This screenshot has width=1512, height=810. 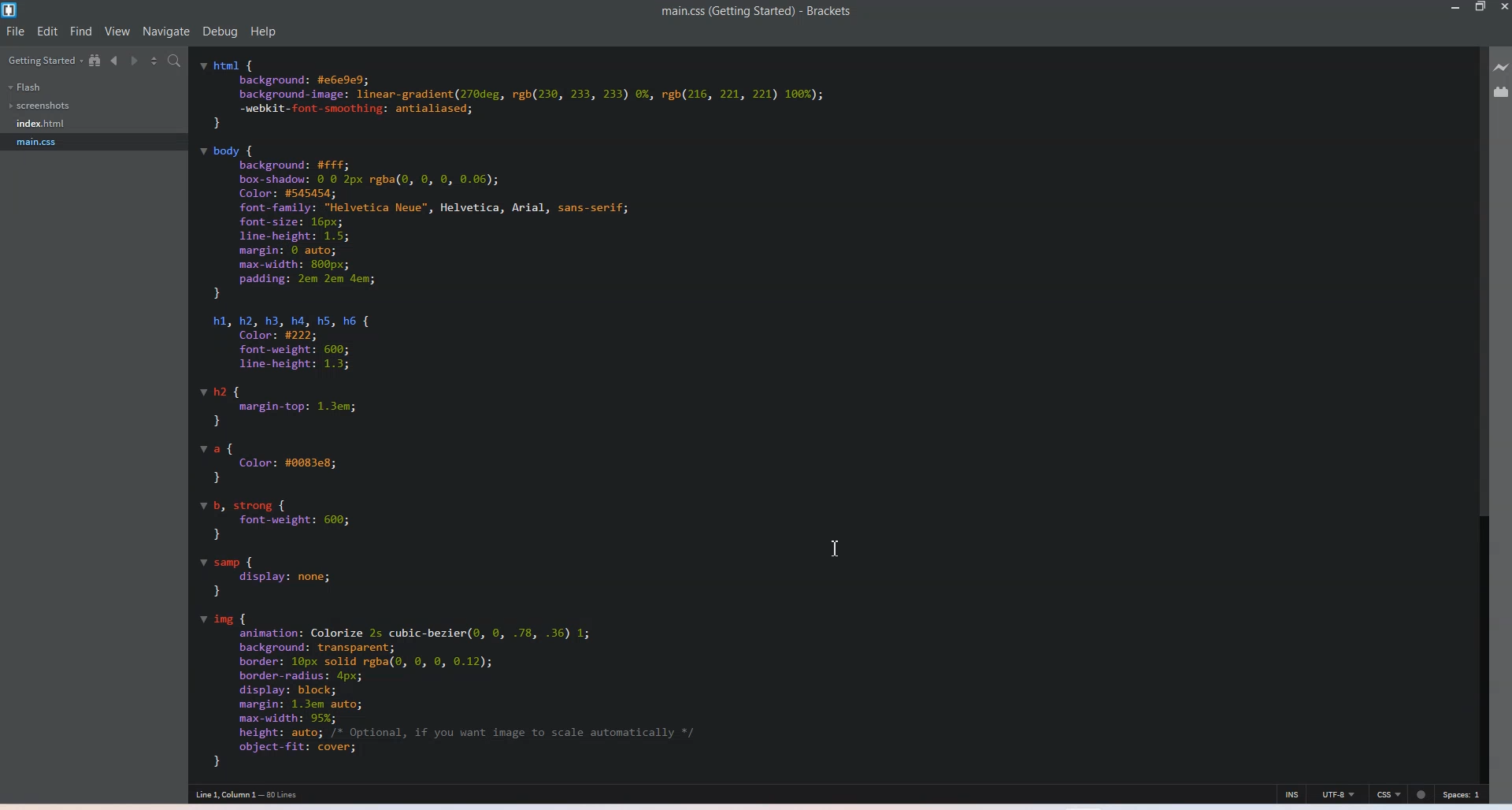 What do you see at coordinates (176, 61) in the screenshot?
I see `Find In files` at bounding box center [176, 61].